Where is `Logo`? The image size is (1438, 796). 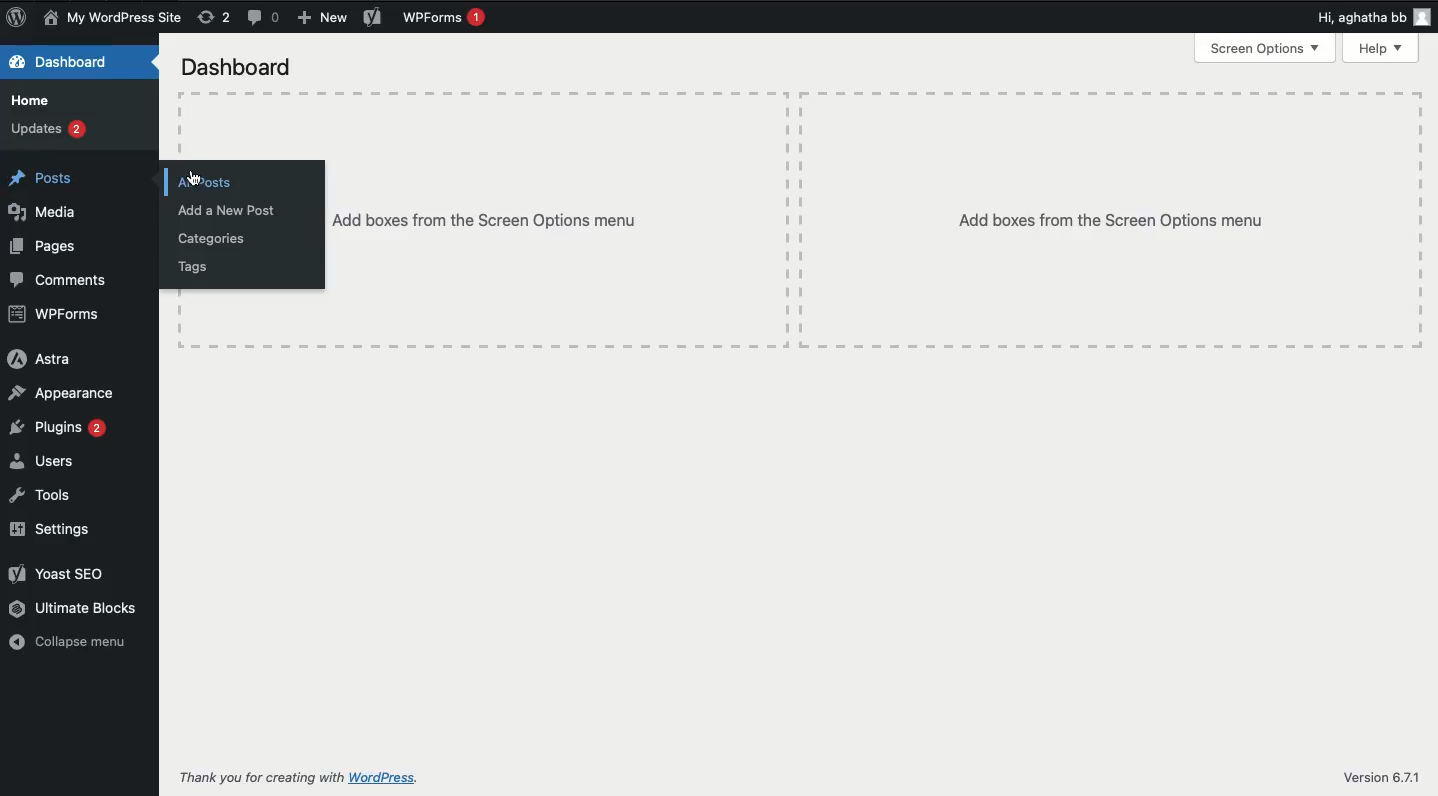 Logo is located at coordinates (16, 17).